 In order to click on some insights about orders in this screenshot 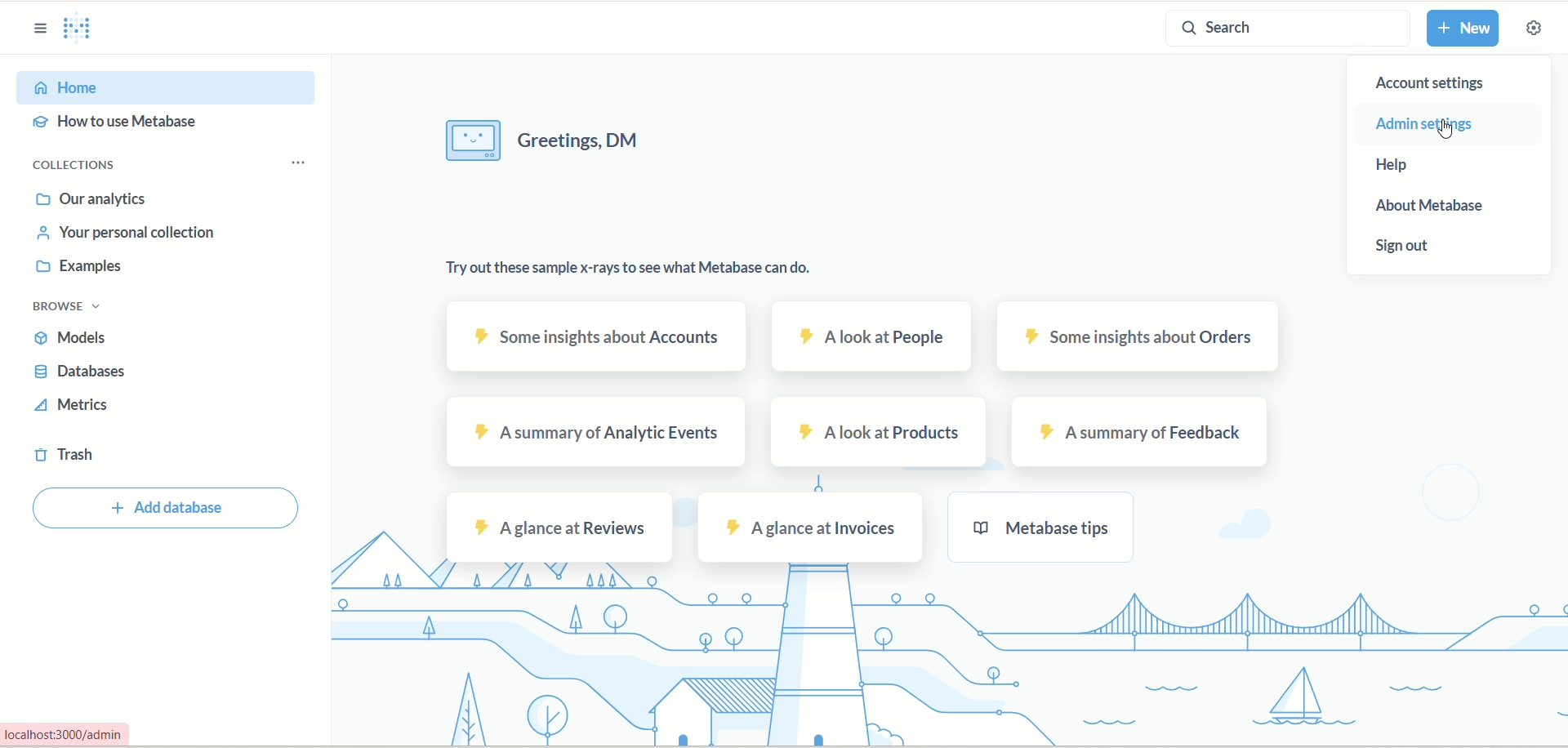, I will do `click(1143, 336)`.